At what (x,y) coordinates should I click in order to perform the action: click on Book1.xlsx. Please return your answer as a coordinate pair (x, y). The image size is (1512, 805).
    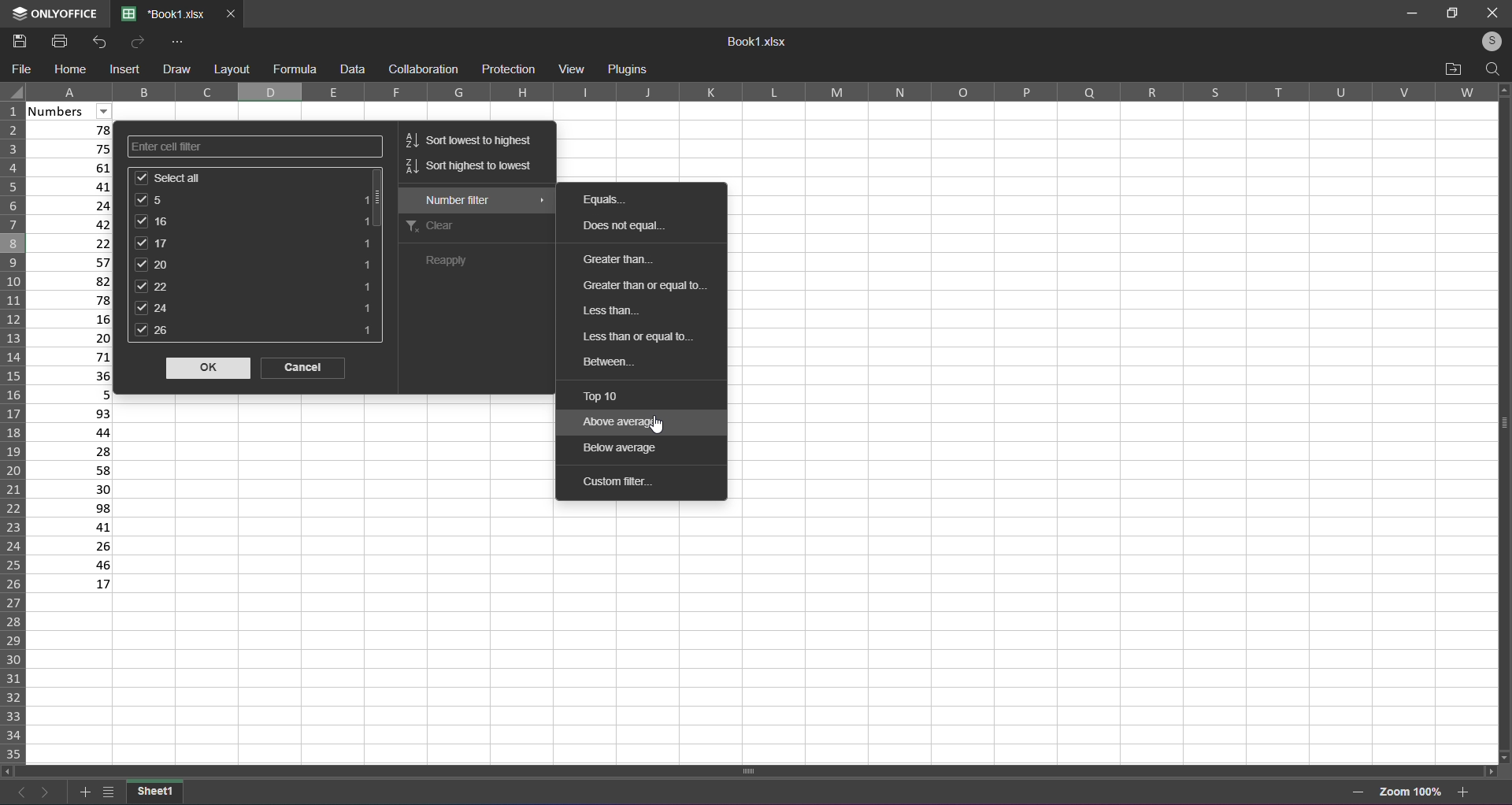
    Looking at the image, I should click on (759, 43).